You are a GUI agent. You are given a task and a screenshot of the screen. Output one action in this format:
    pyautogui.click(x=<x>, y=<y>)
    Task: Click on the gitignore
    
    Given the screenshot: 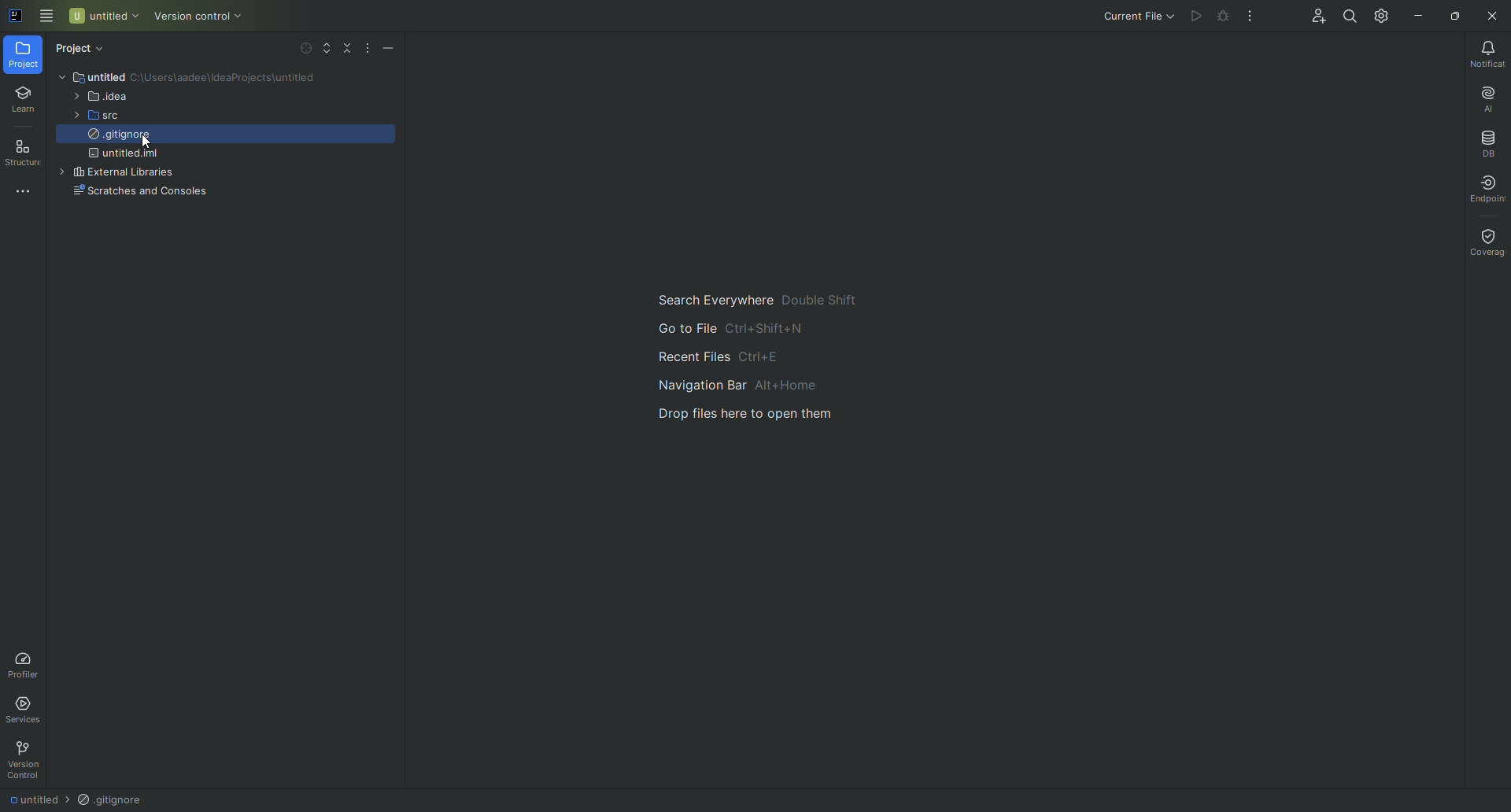 What is the action you would take?
    pyautogui.click(x=119, y=138)
    